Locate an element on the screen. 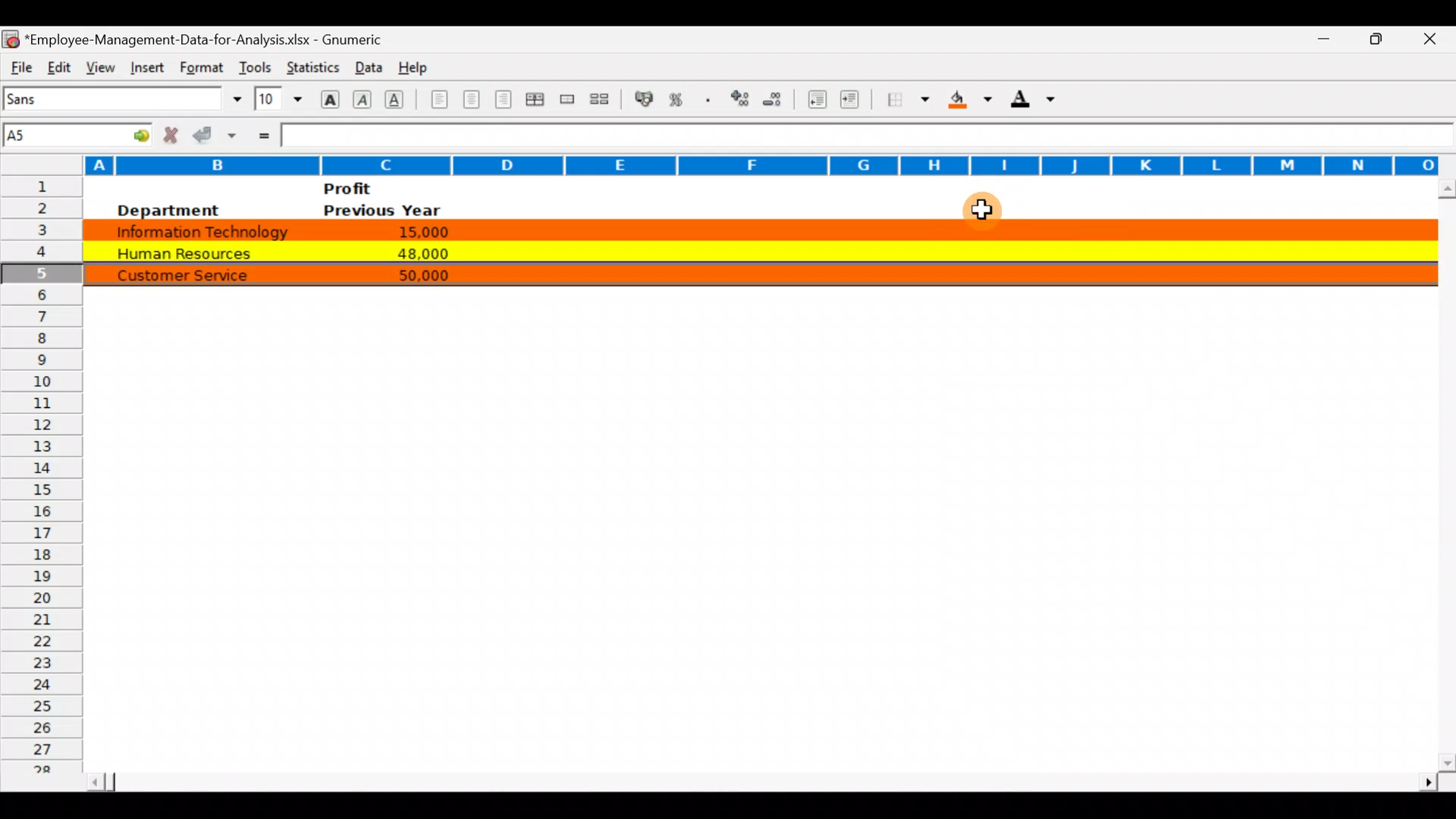 The width and height of the screenshot is (1456, 819). Borders is located at coordinates (908, 99).